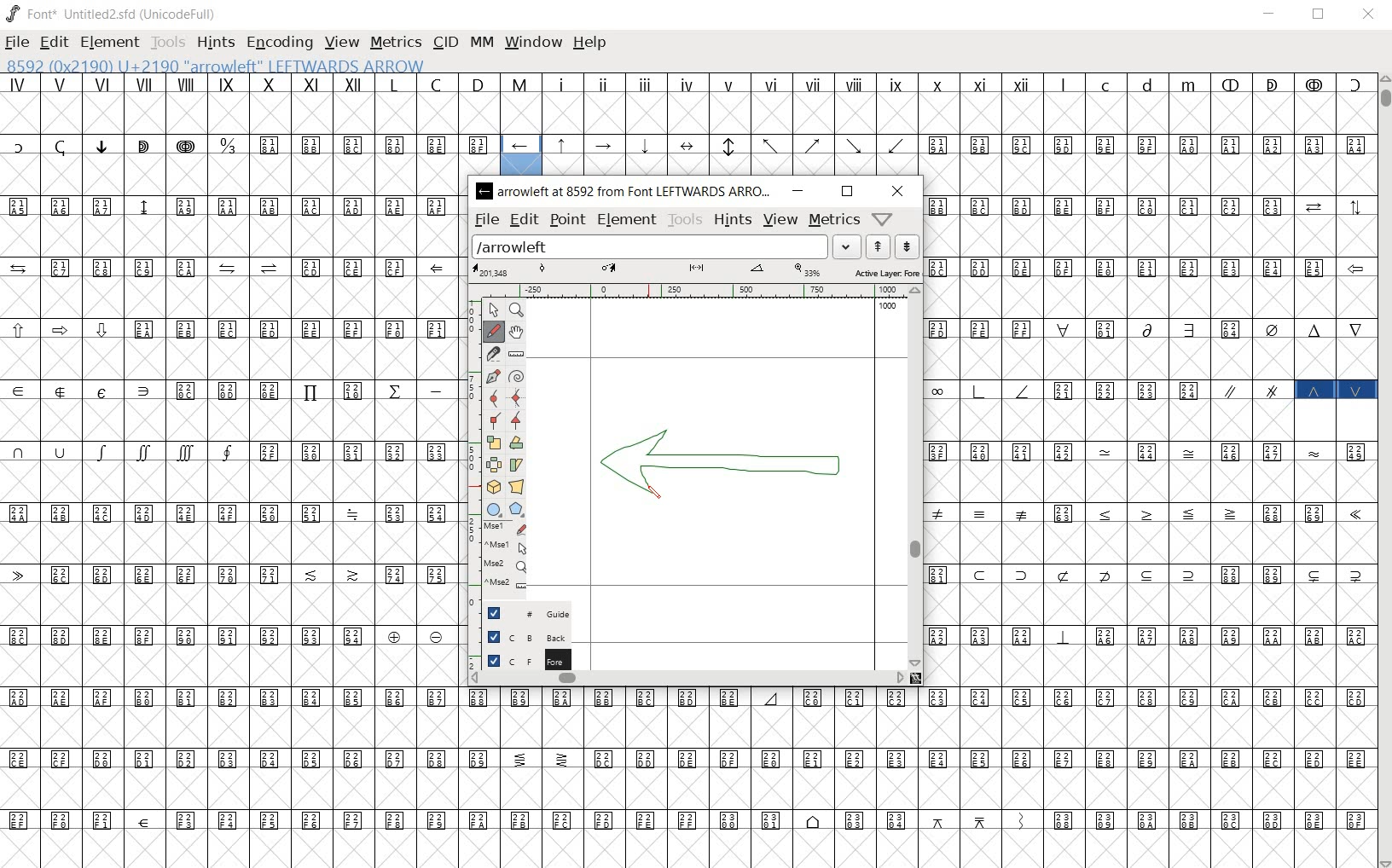 The image size is (1392, 868). What do you see at coordinates (522, 637) in the screenshot?
I see `background layer` at bounding box center [522, 637].